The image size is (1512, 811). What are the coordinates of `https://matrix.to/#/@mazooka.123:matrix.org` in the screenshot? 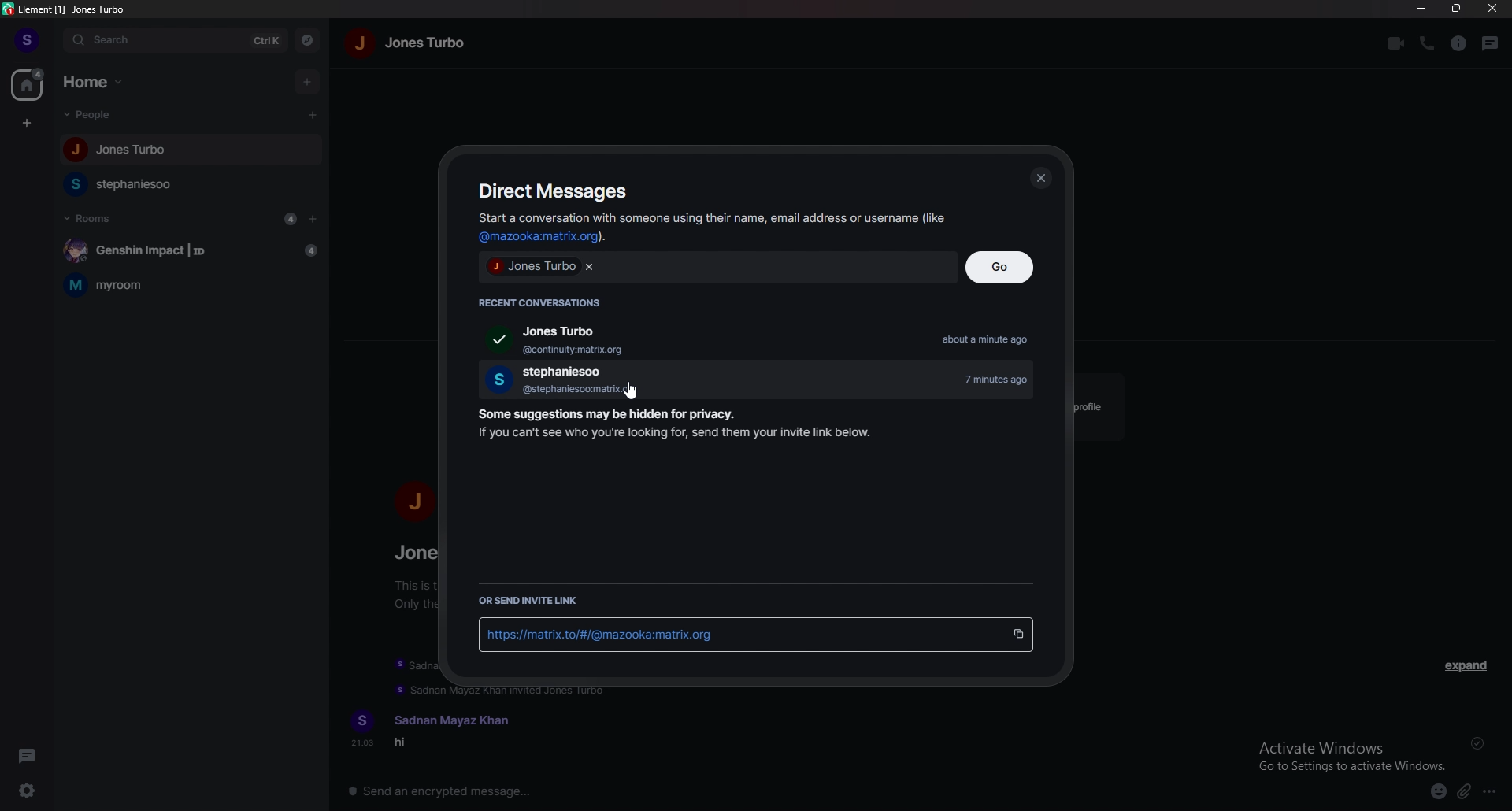 It's located at (733, 636).